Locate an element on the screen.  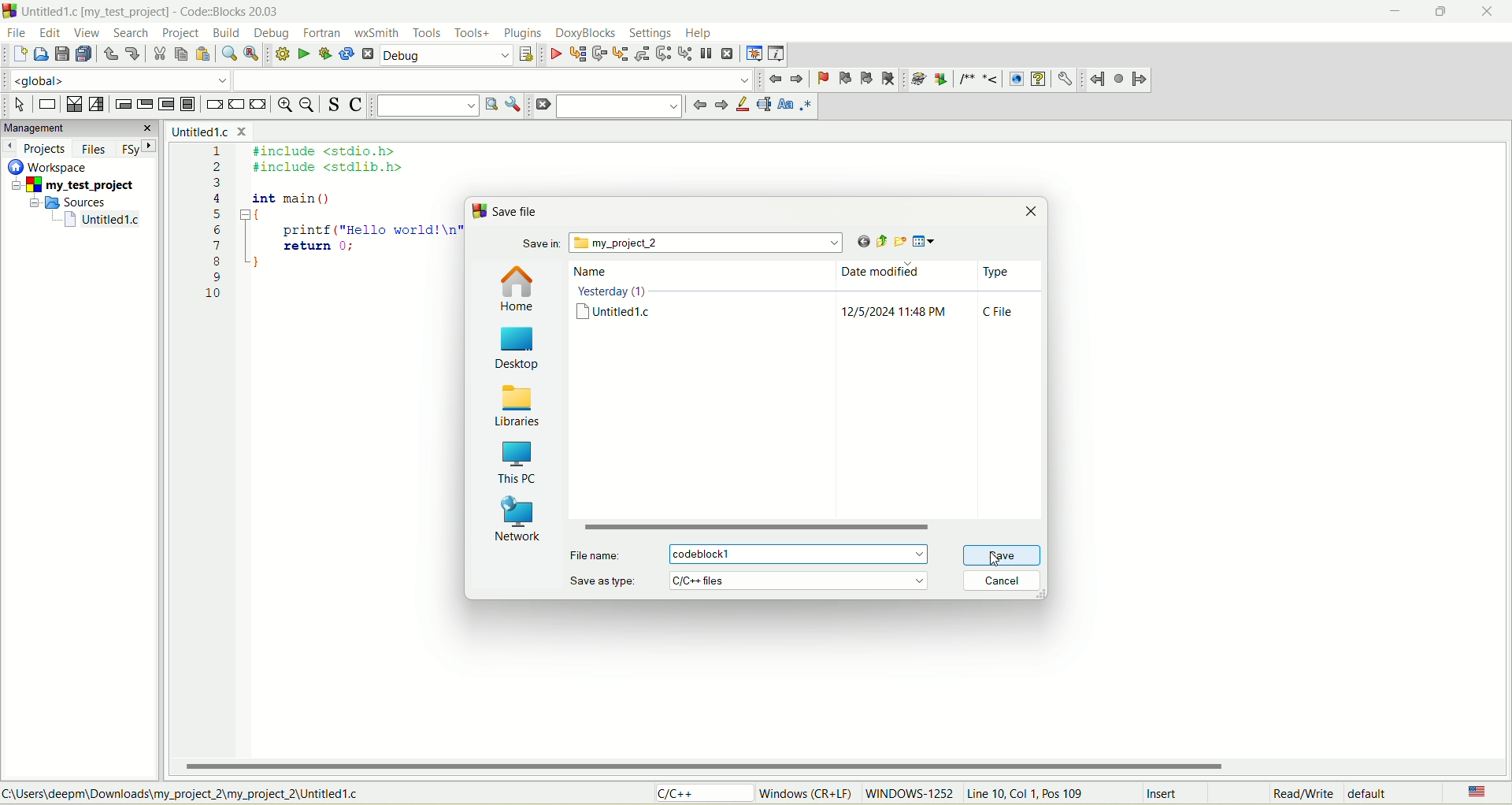
save is located at coordinates (61, 54).